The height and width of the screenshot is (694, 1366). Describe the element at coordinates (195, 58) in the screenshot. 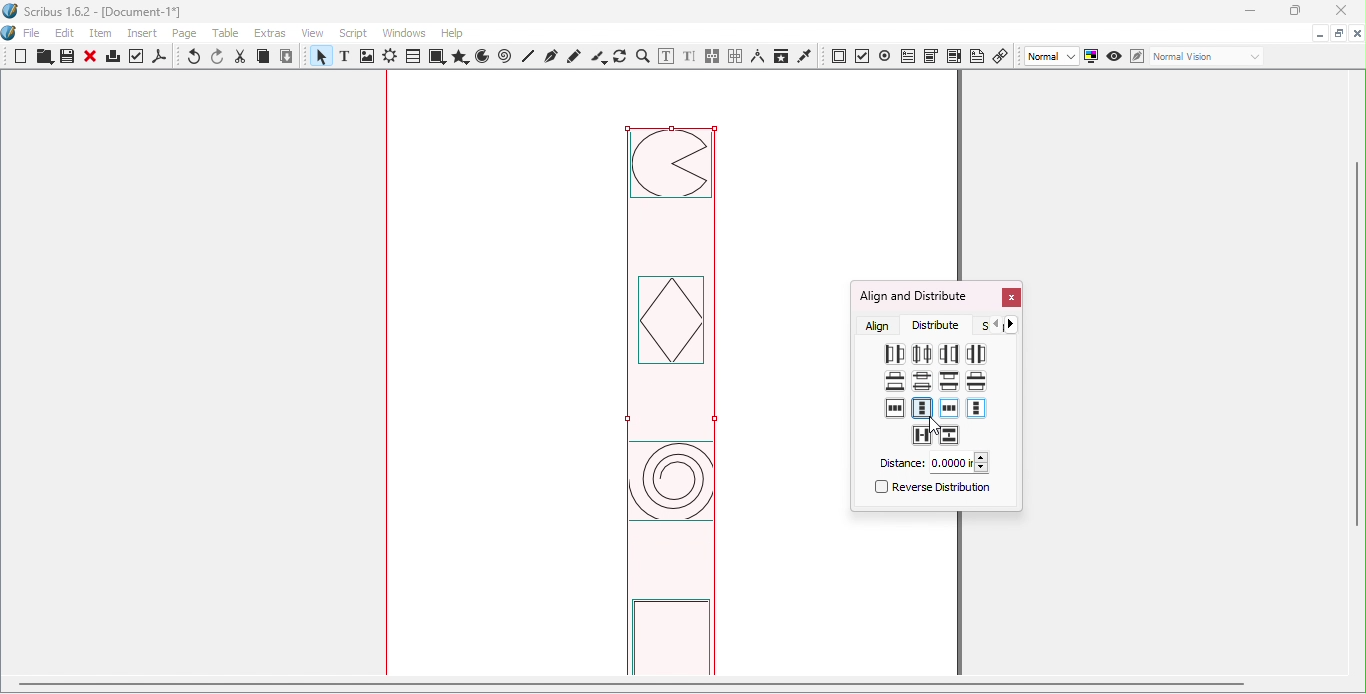

I see `Undo` at that location.